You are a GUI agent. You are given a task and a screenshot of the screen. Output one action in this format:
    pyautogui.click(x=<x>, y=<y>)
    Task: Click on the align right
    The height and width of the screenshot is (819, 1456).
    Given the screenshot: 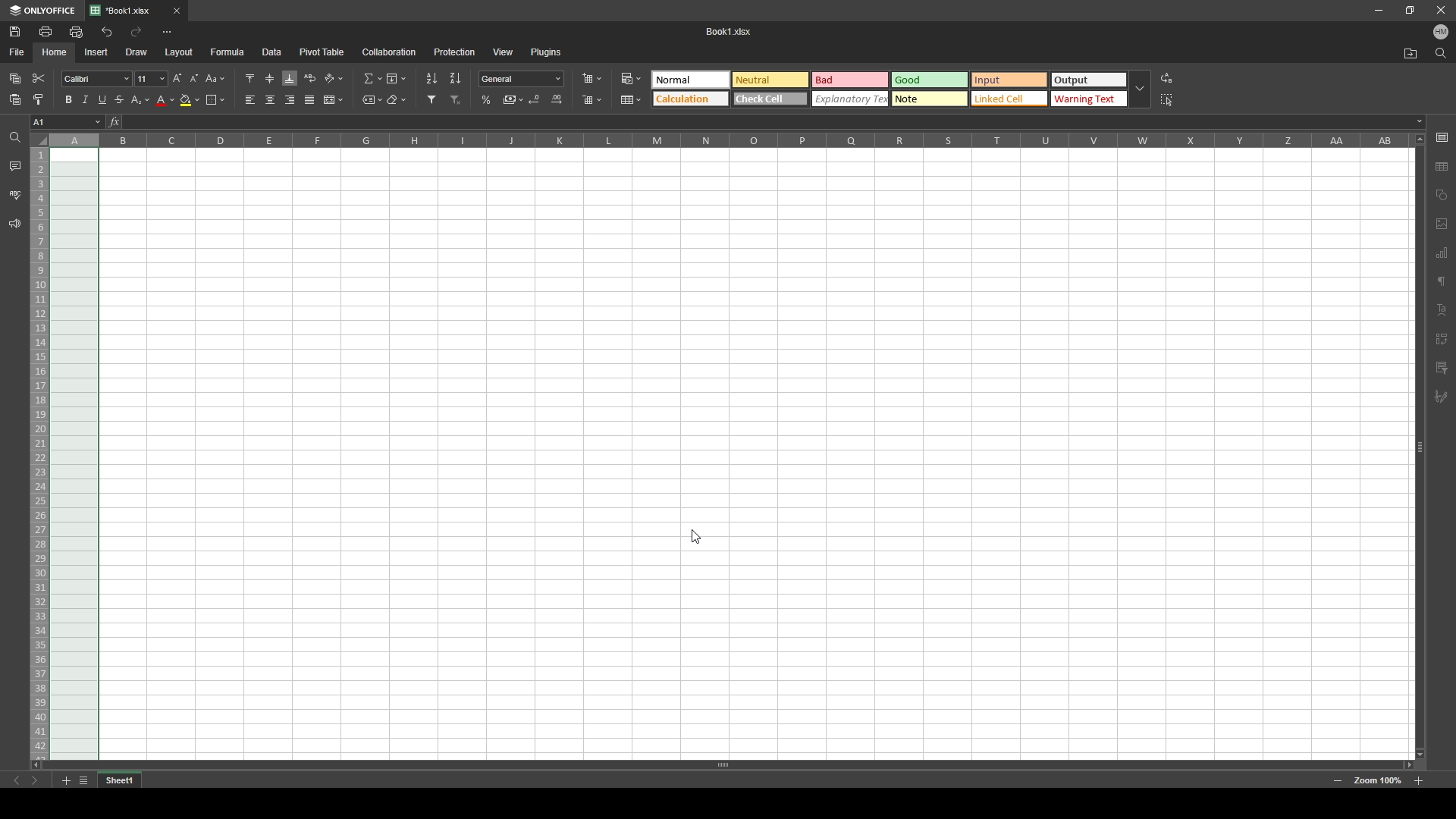 What is the action you would take?
    pyautogui.click(x=290, y=100)
    